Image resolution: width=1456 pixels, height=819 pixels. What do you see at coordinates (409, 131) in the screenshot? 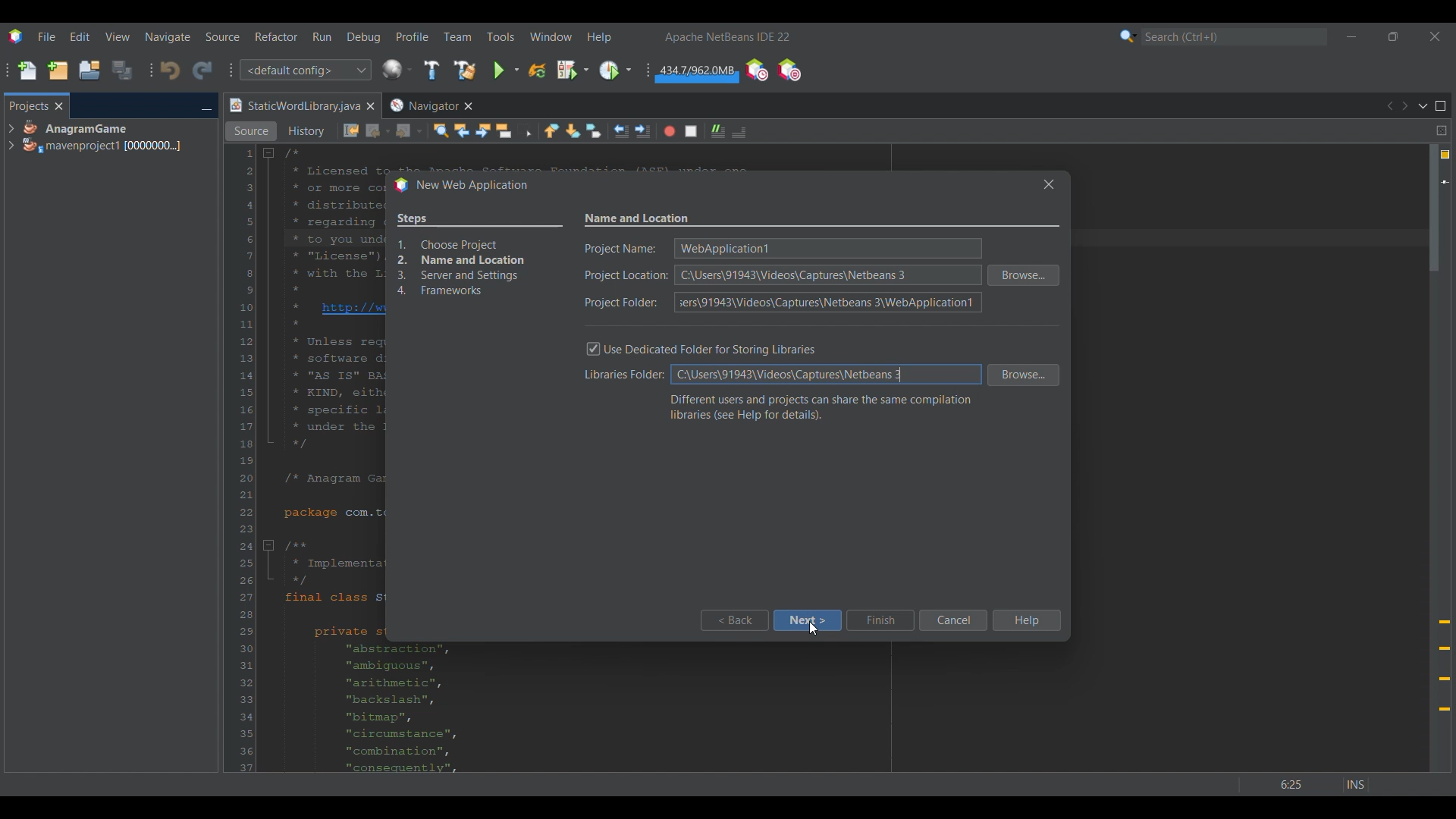
I see `Forward` at bounding box center [409, 131].